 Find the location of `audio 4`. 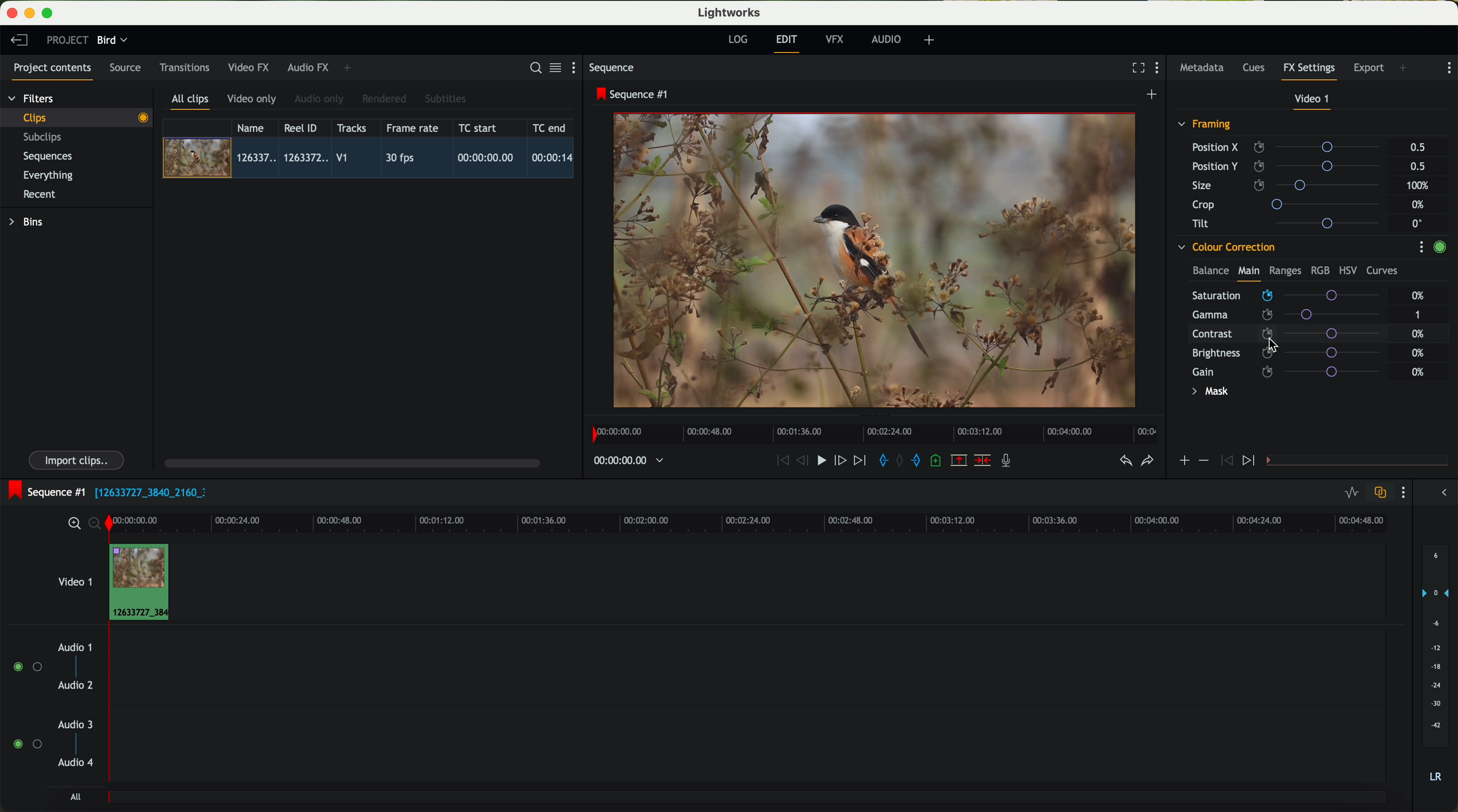

audio 4 is located at coordinates (76, 763).